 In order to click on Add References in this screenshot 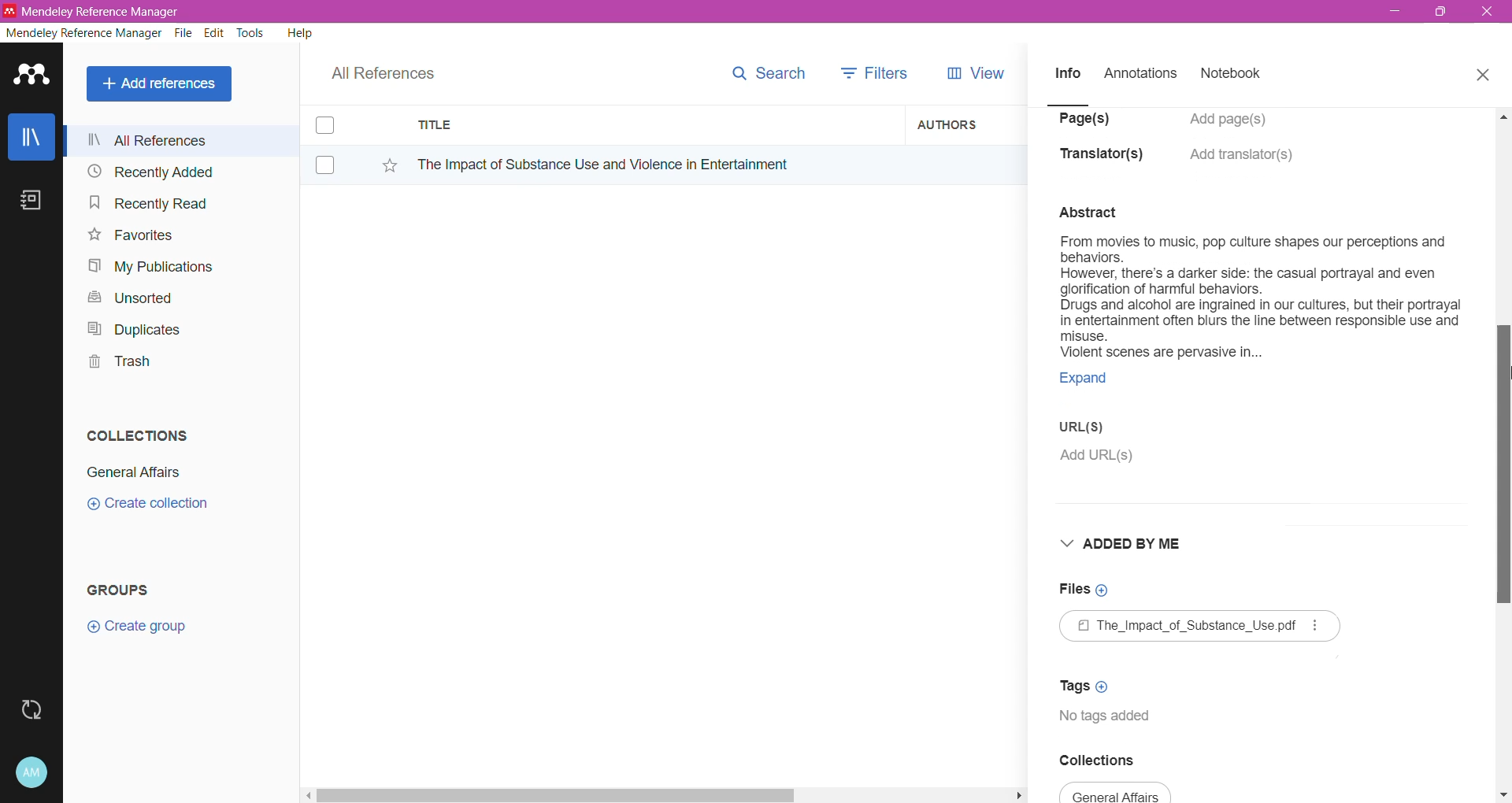, I will do `click(162, 83)`.